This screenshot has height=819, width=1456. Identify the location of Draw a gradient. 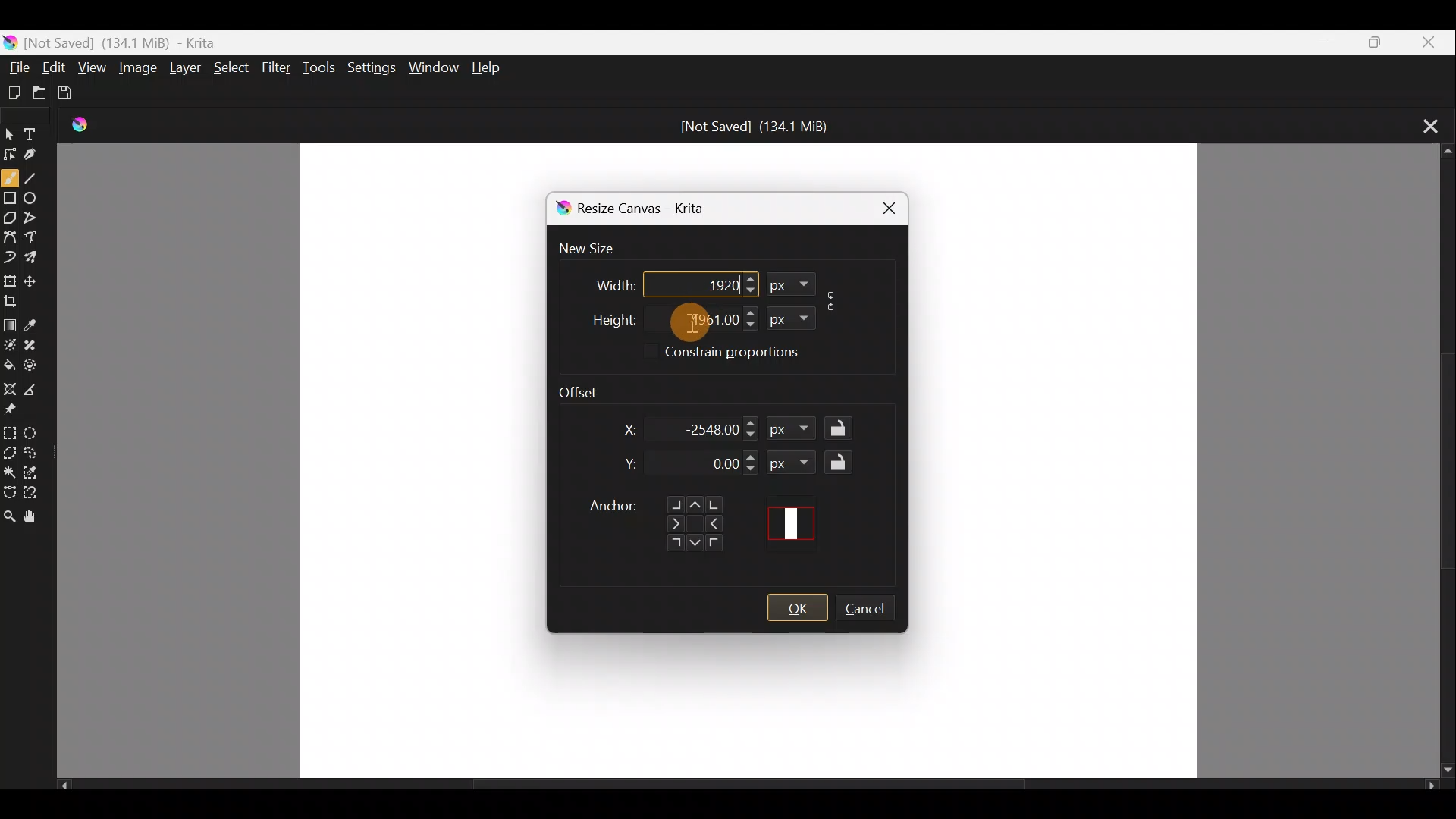
(11, 322).